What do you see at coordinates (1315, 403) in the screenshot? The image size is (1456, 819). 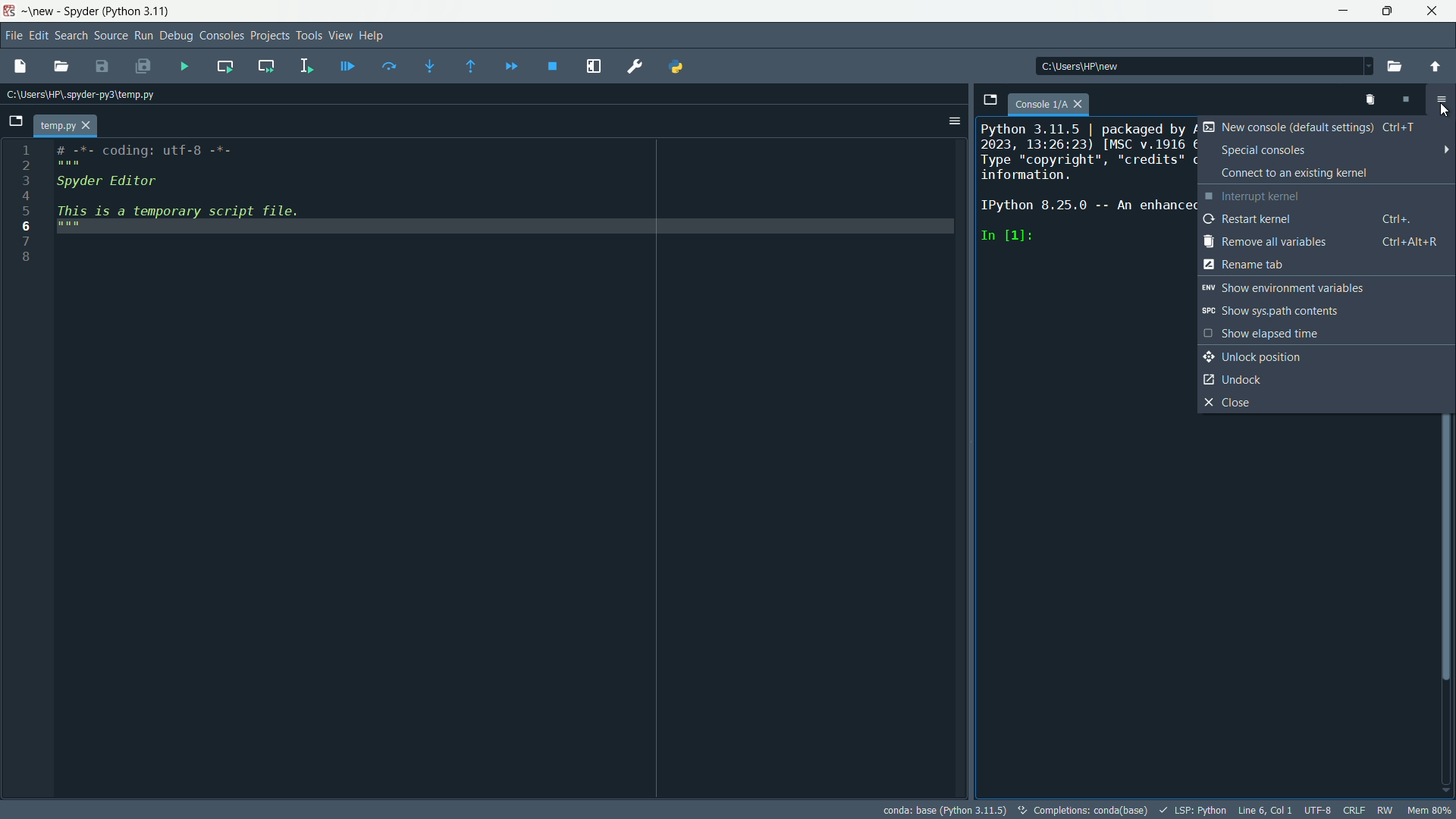 I see `Close` at bounding box center [1315, 403].